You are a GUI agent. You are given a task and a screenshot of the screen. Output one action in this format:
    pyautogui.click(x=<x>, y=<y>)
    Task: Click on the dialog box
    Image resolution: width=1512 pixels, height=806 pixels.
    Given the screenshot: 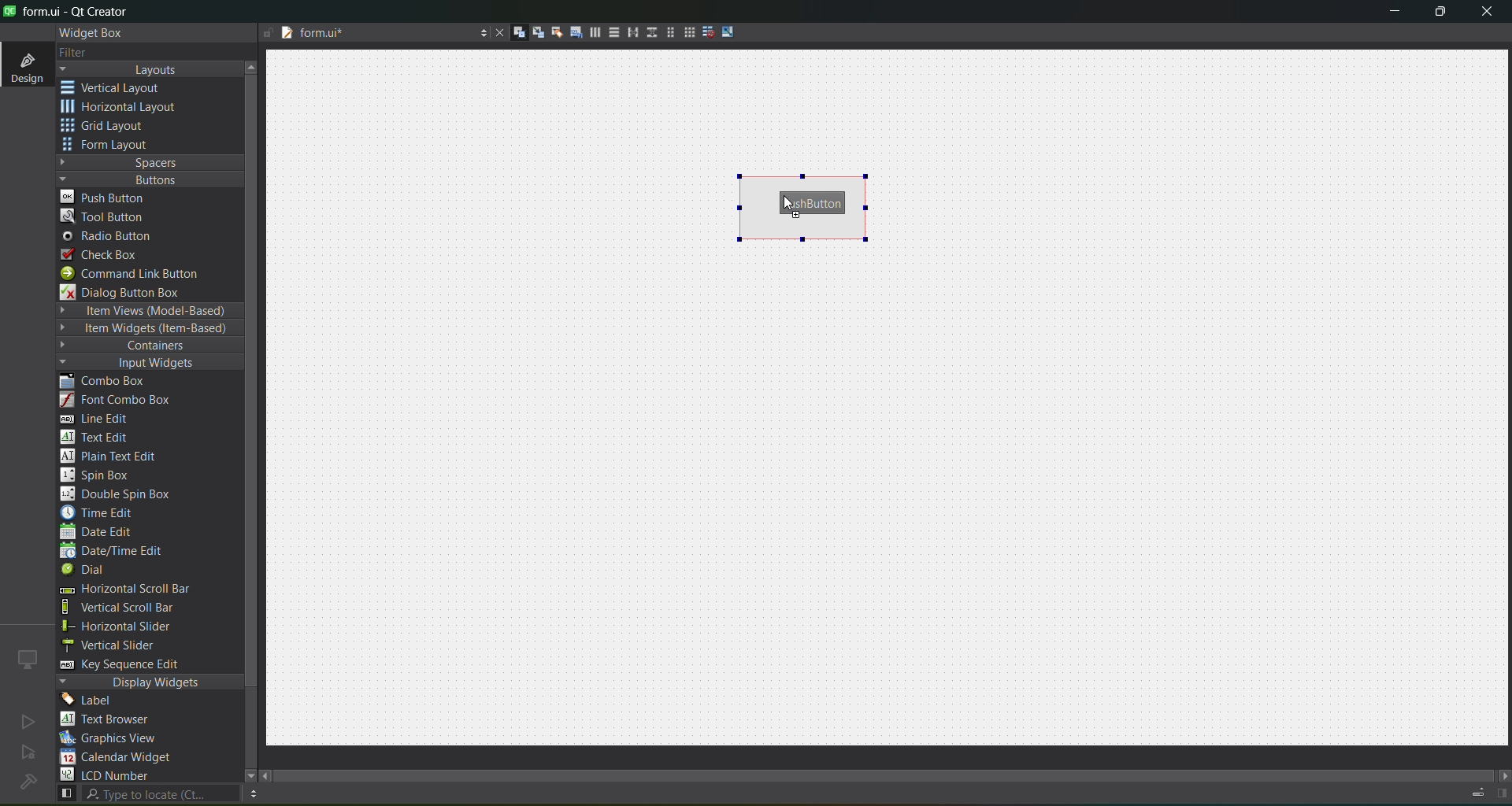 What is the action you would take?
    pyautogui.click(x=132, y=292)
    